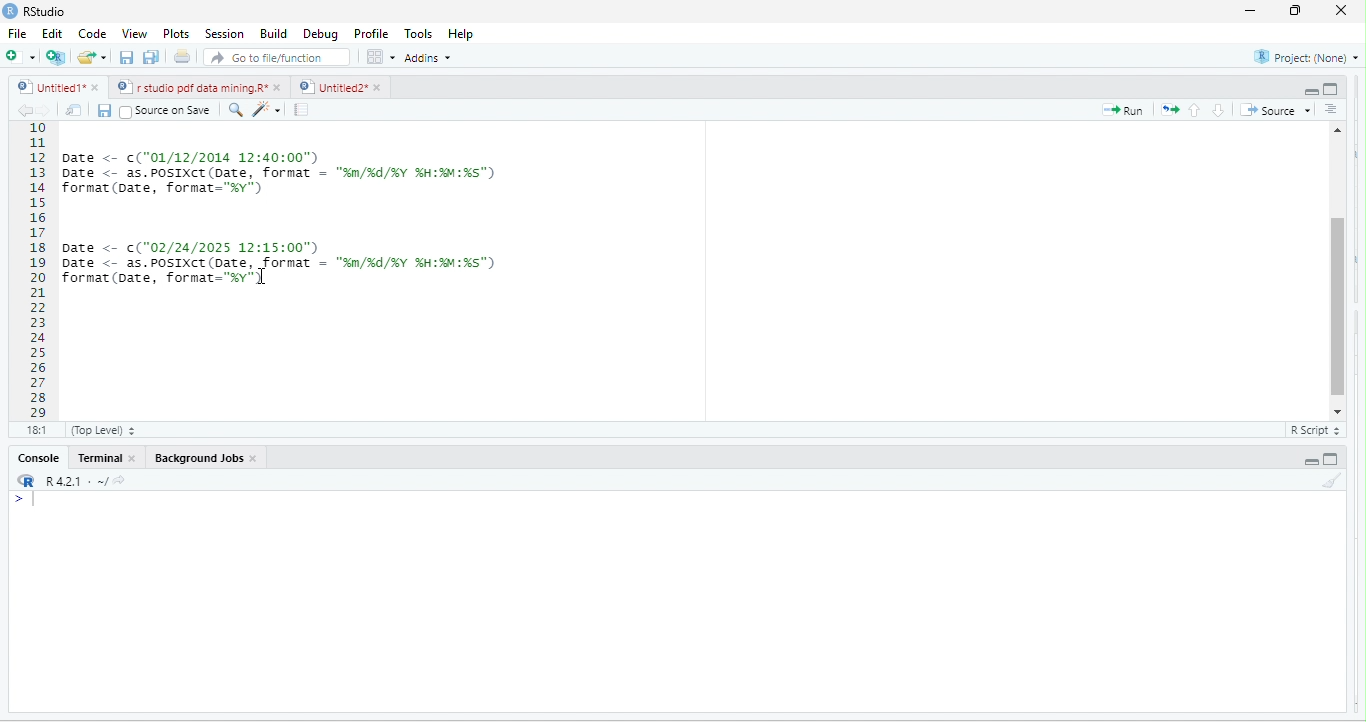  What do you see at coordinates (197, 459) in the screenshot?
I see `‘Background Jobs` at bounding box center [197, 459].